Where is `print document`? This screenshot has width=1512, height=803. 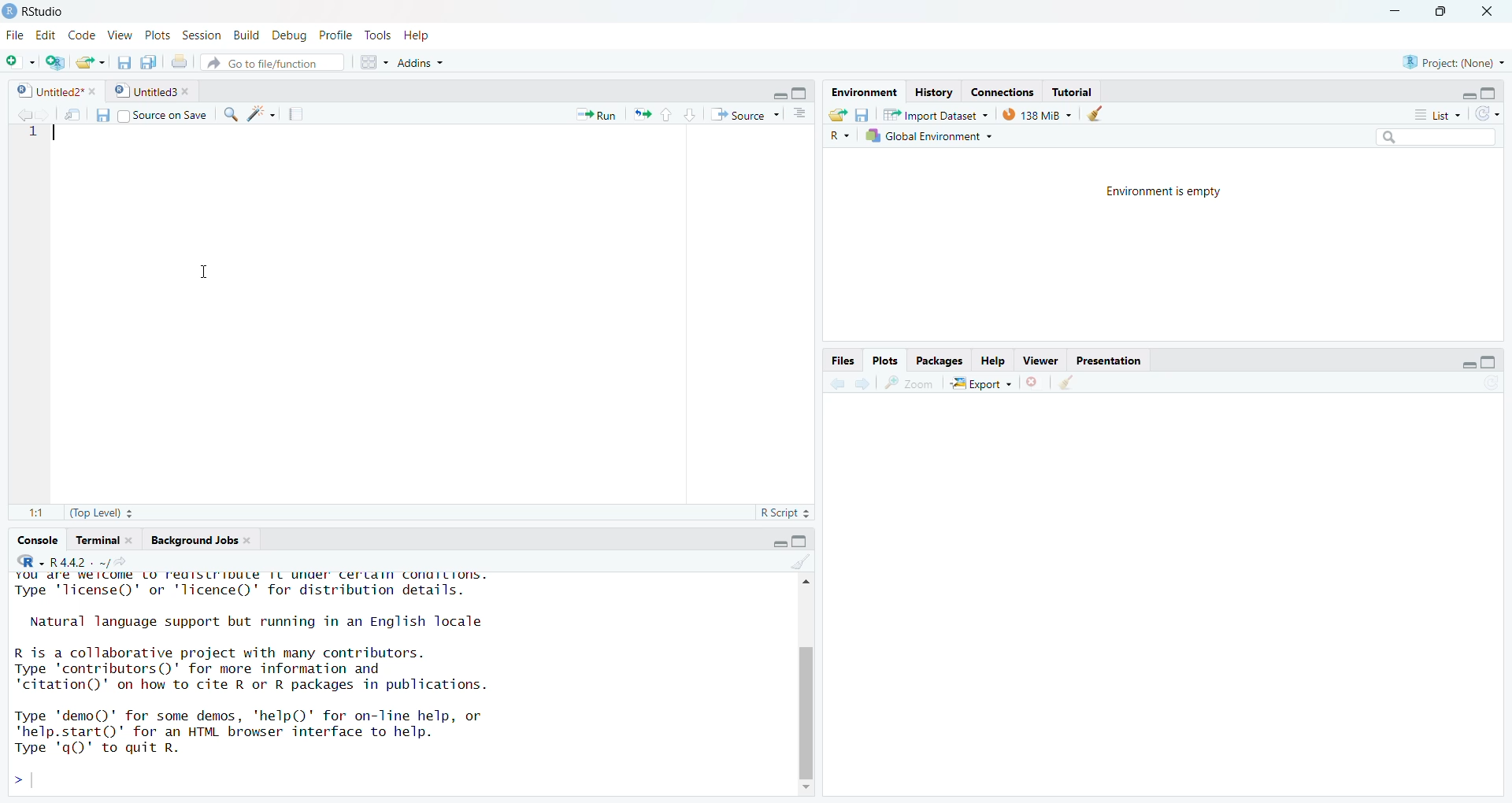 print document is located at coordinates (180, 60).